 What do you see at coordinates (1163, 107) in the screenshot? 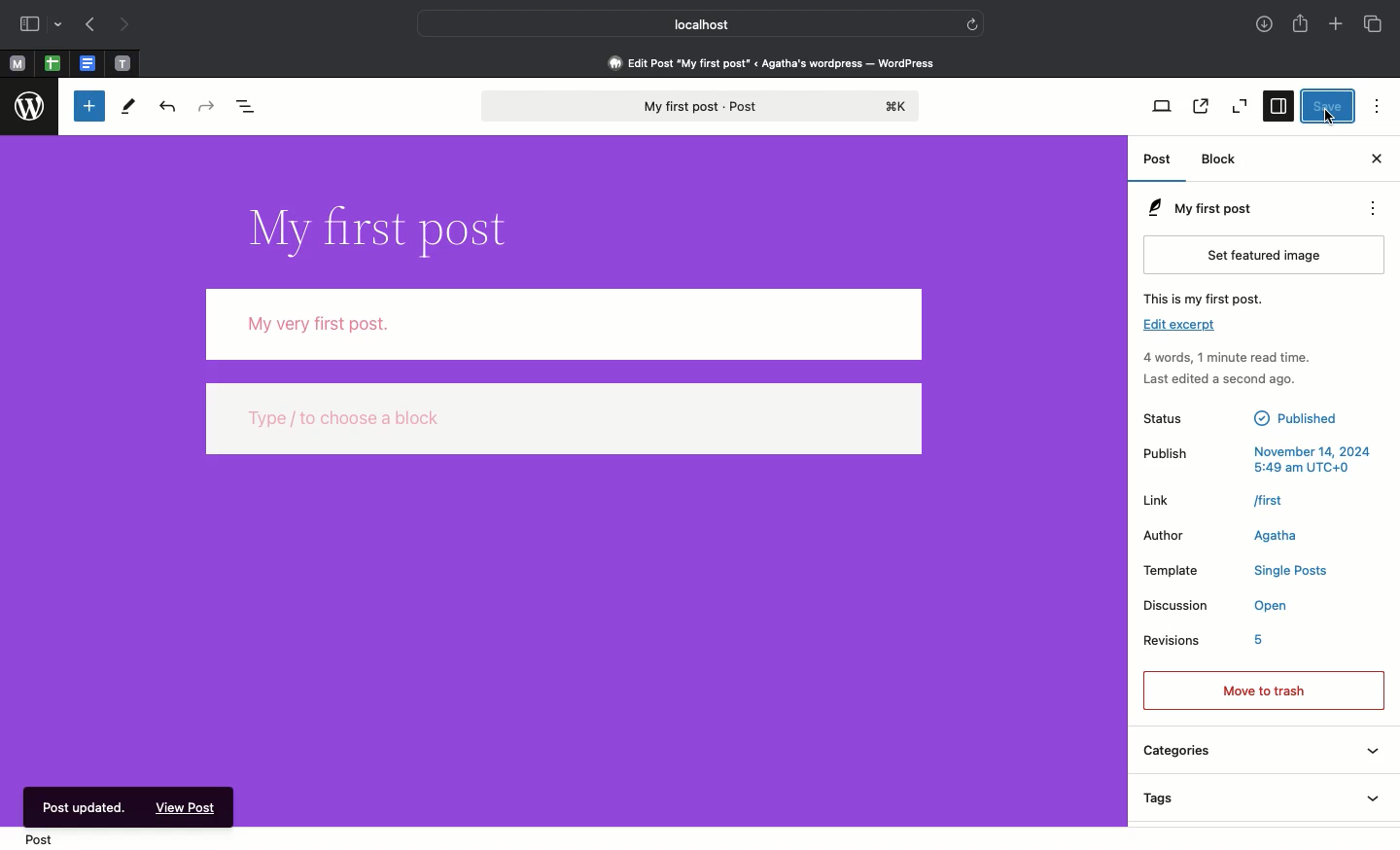
I see `View` at bounding box center [1163, 107].